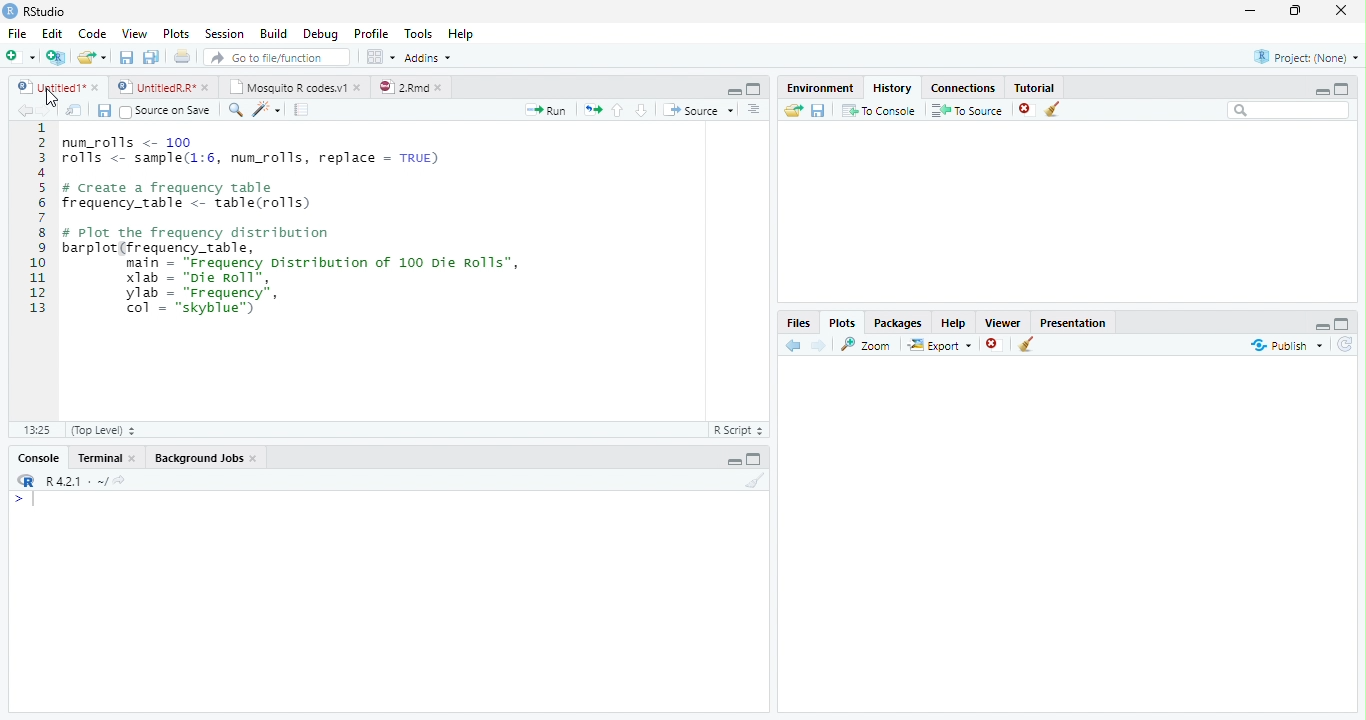  I want to click on 1:1, so click(35, 430).